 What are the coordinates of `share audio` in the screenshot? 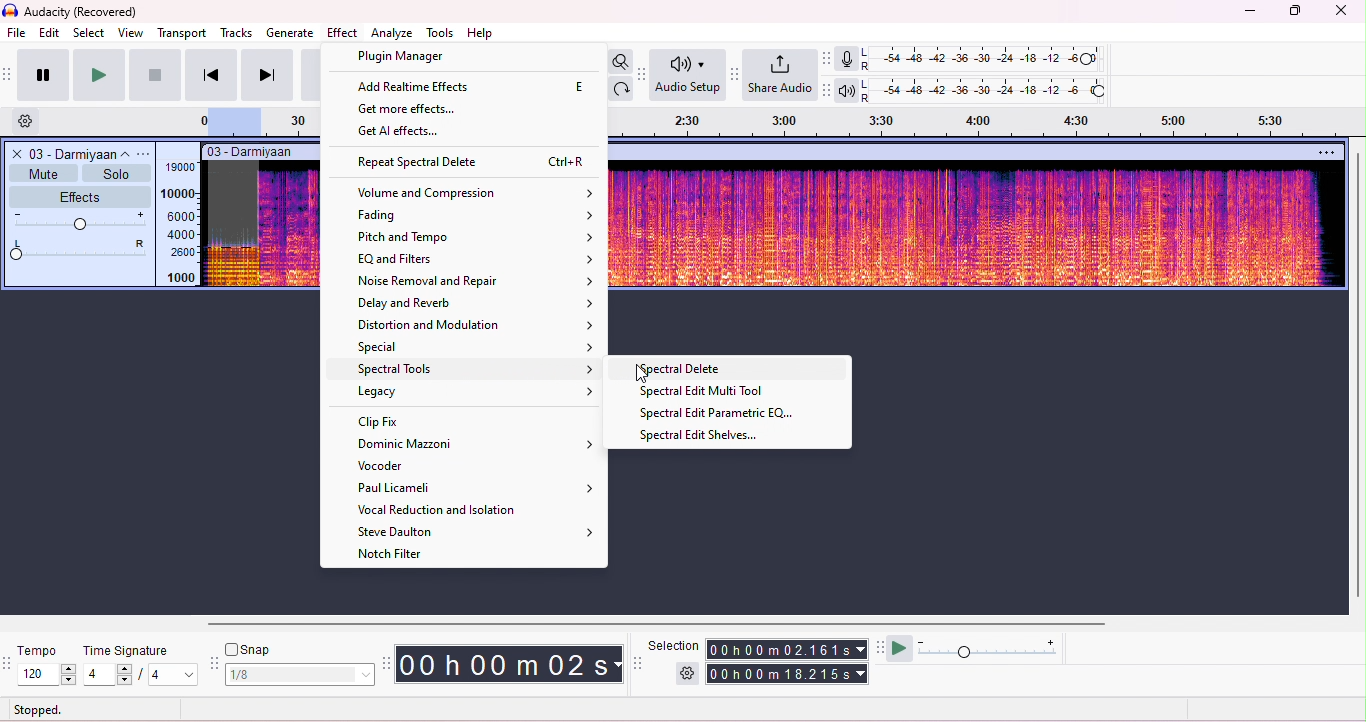 It's located at (779, 75).